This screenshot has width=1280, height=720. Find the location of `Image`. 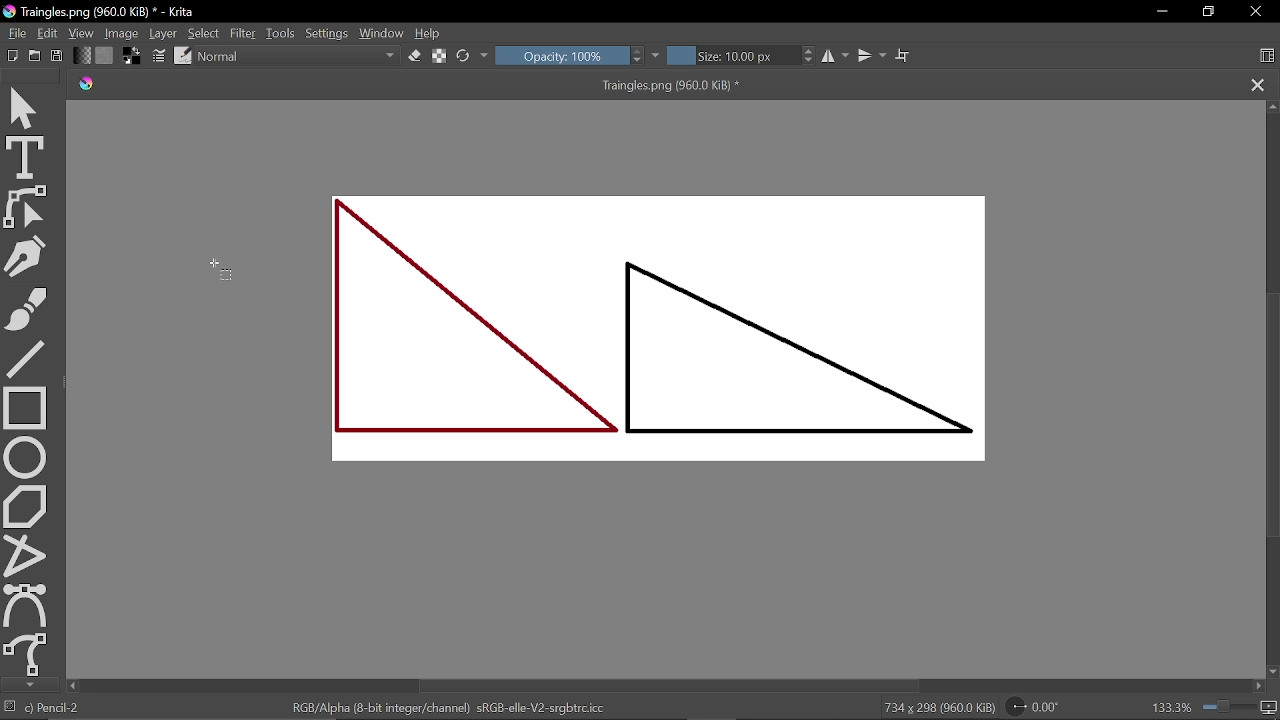

Image is located at coordinates (121, 34).